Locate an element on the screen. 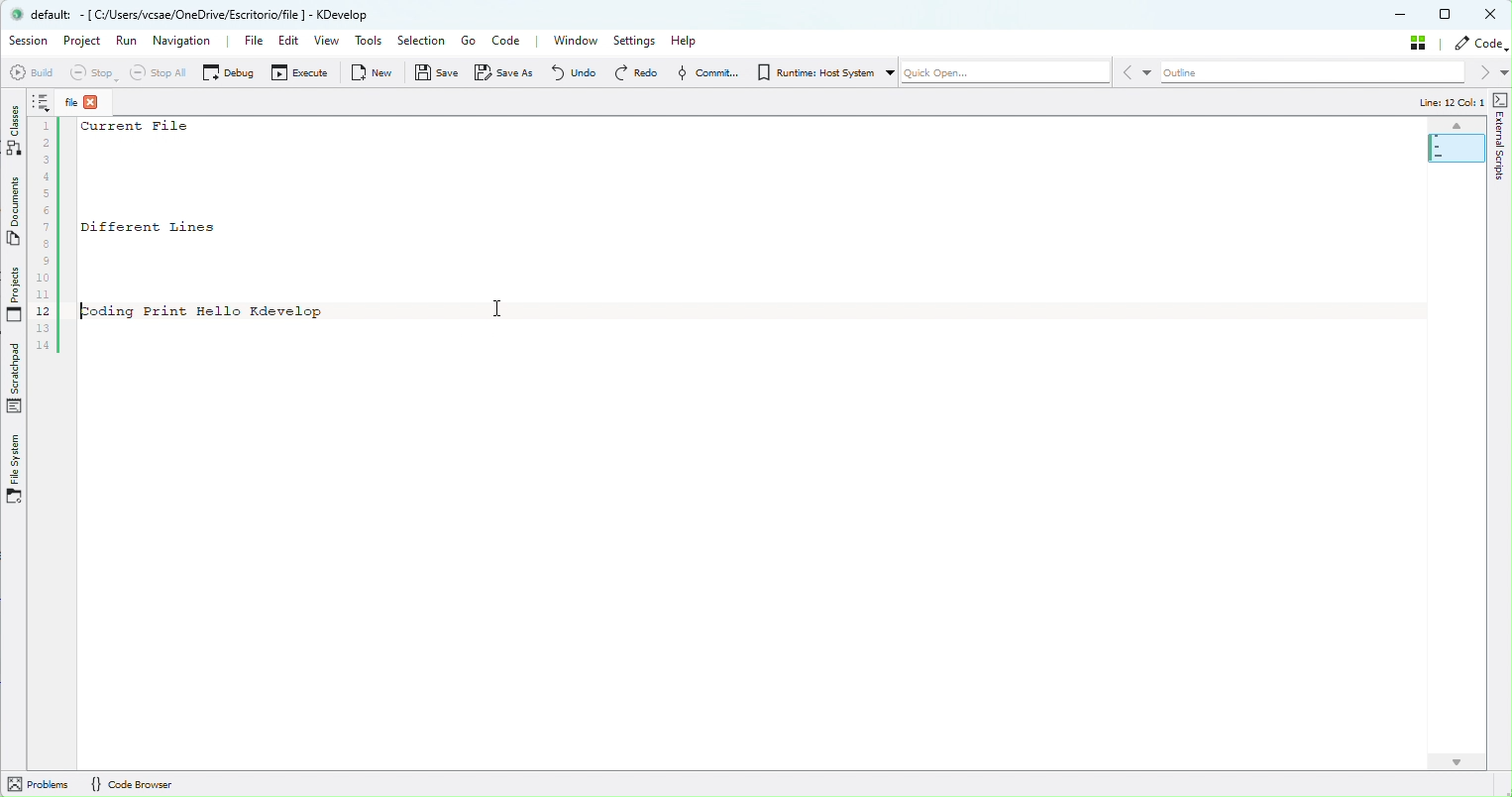 The width and height of the screenshot is (1512, 797). Quick Open is located at coordinates (1001, 76).